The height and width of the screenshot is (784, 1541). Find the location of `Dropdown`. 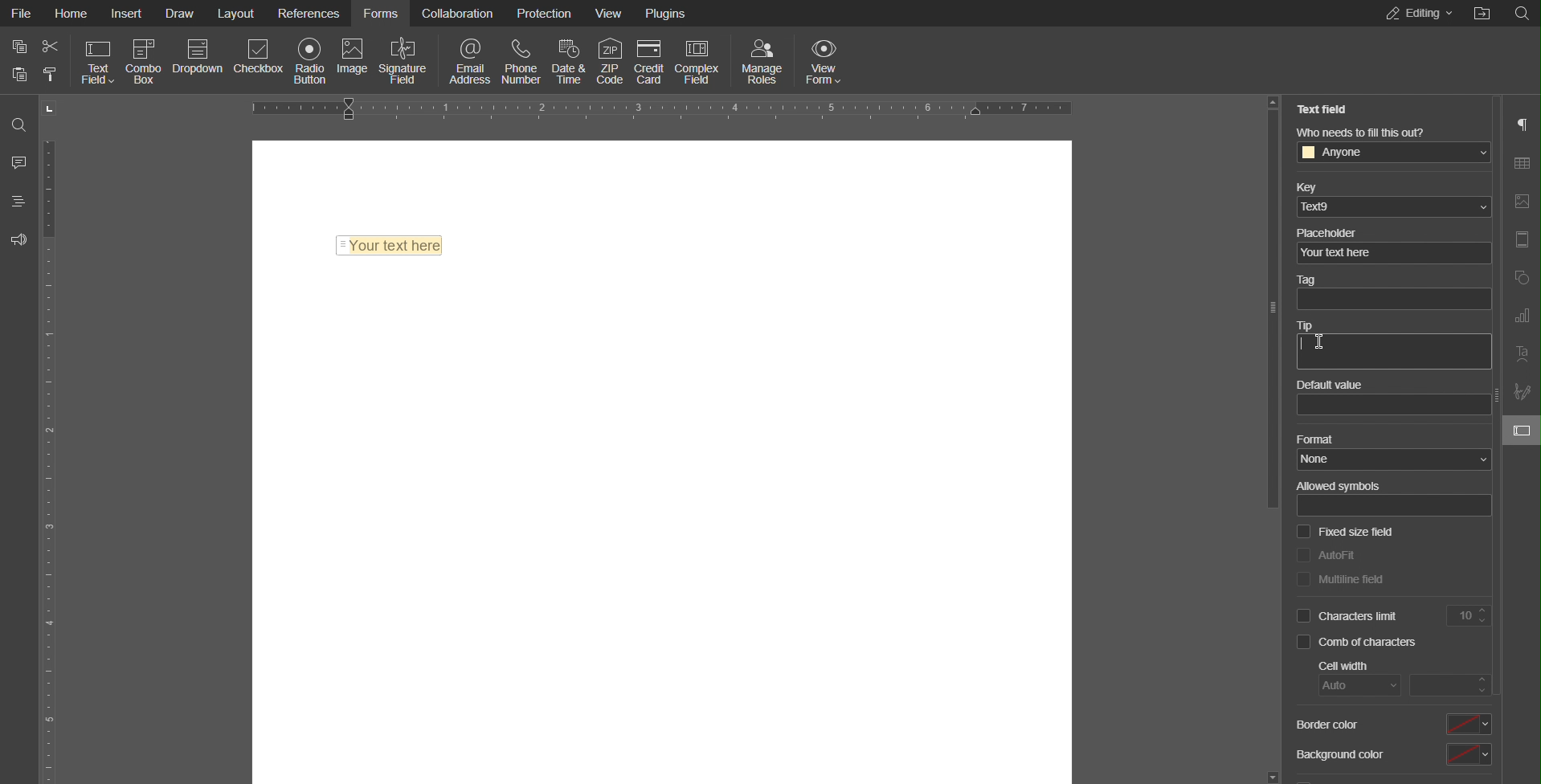

Dropdown is located at coordinates (202, 61).